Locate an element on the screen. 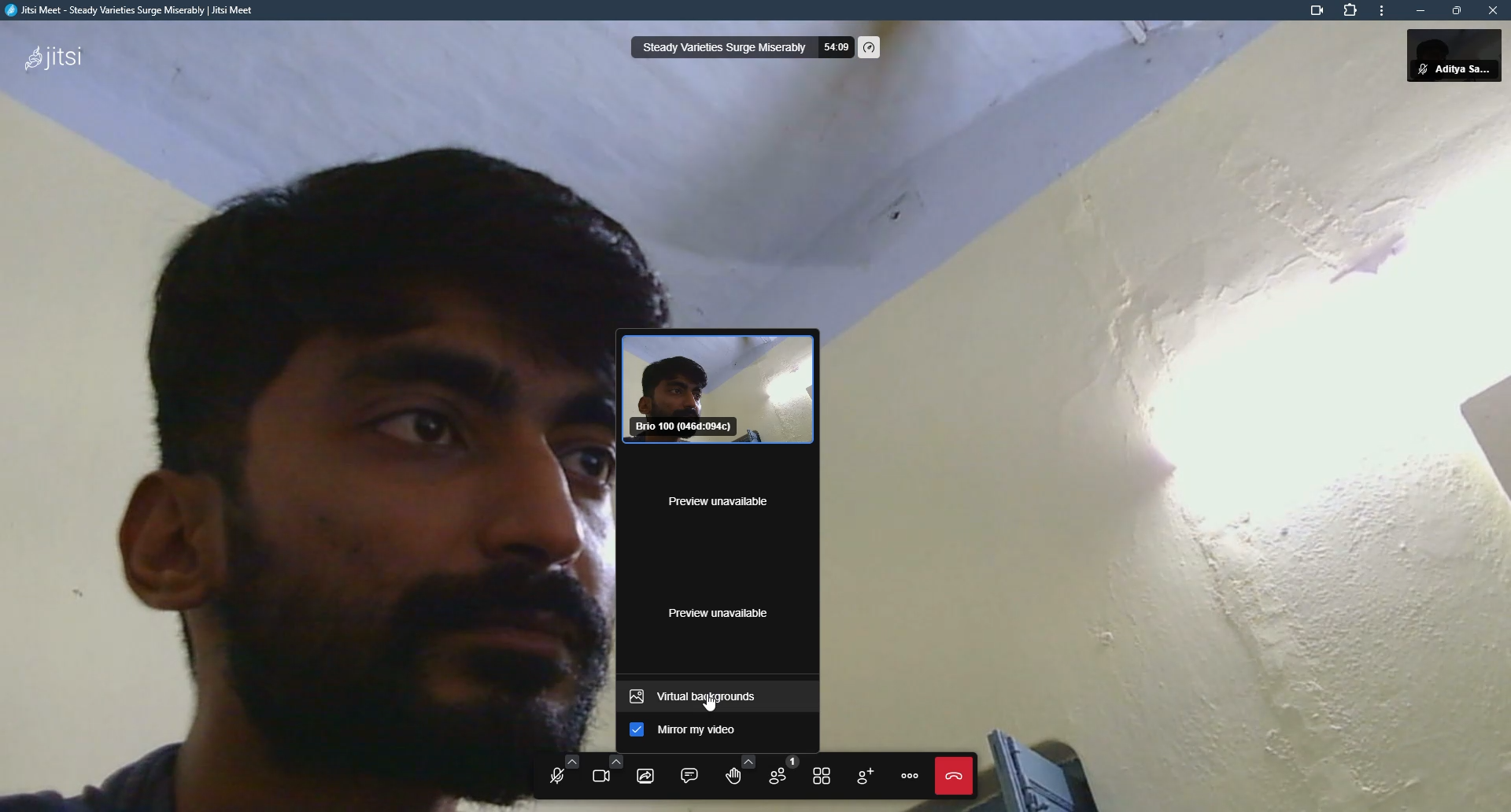 This screenshot has height=812, width=1511. preview unavailable is located at coordinates (725, 611).